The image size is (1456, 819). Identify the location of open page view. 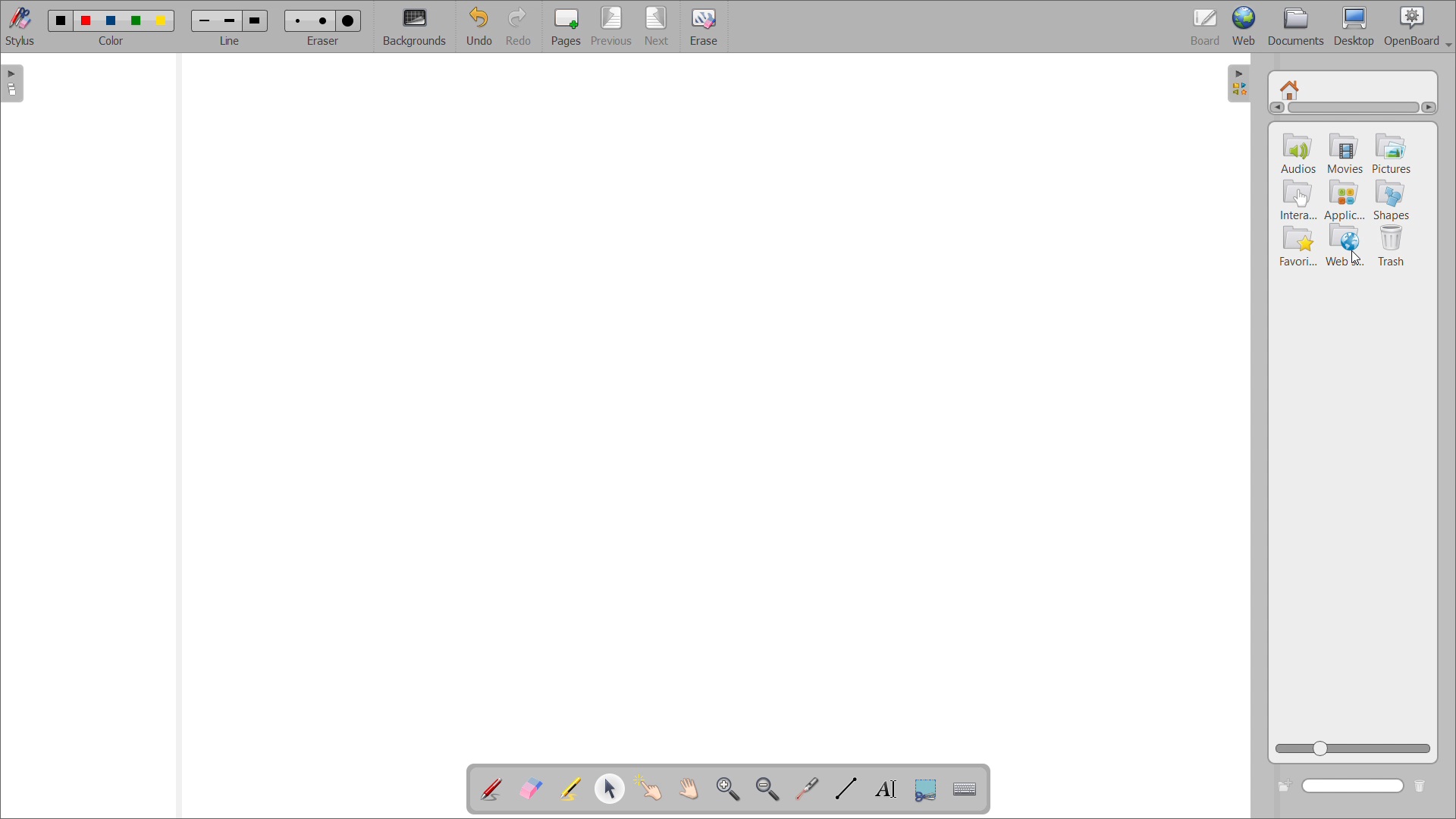
(12, 83).